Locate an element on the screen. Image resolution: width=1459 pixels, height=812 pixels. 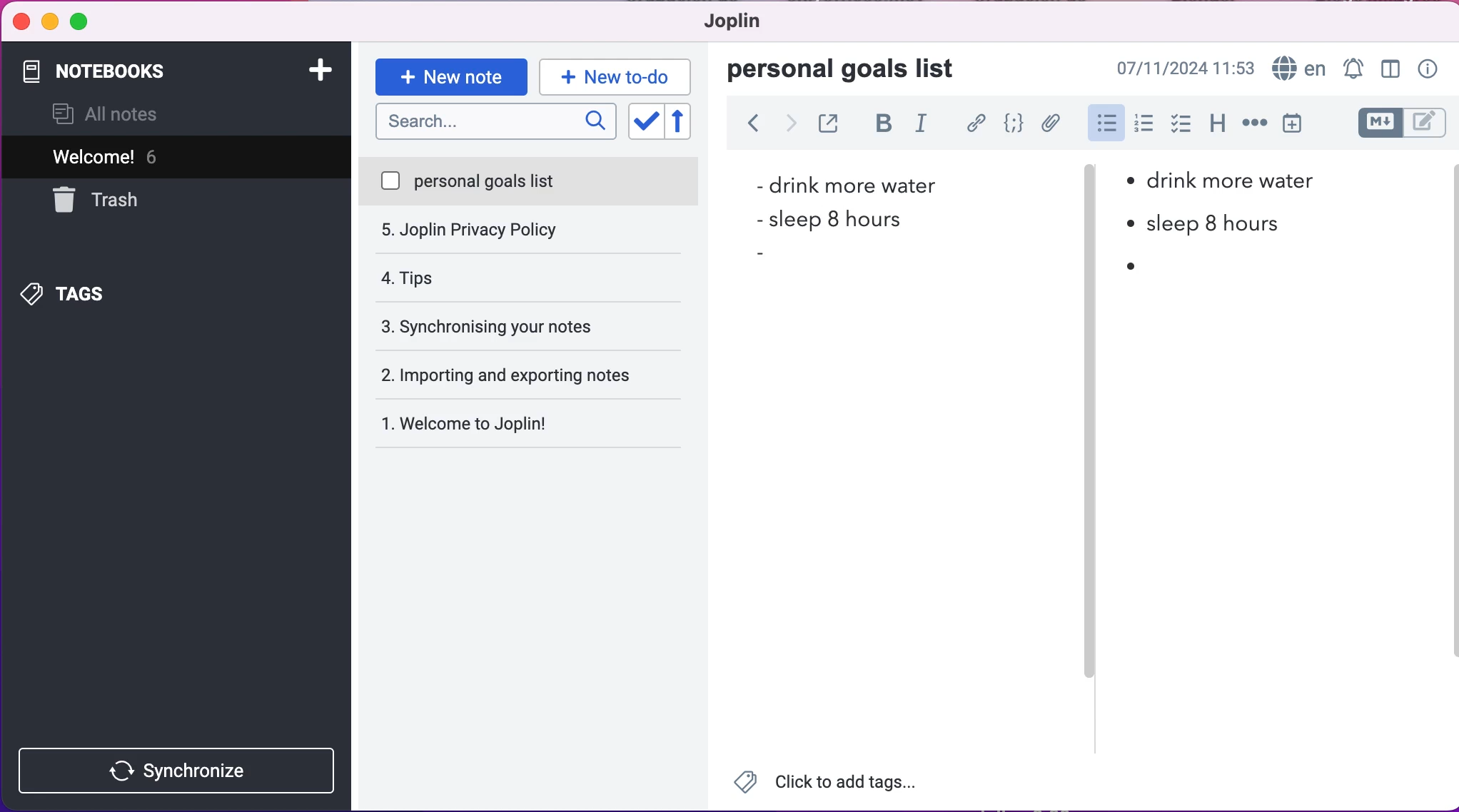
Welcome to Joplin! is located at coordinates (475, 423).